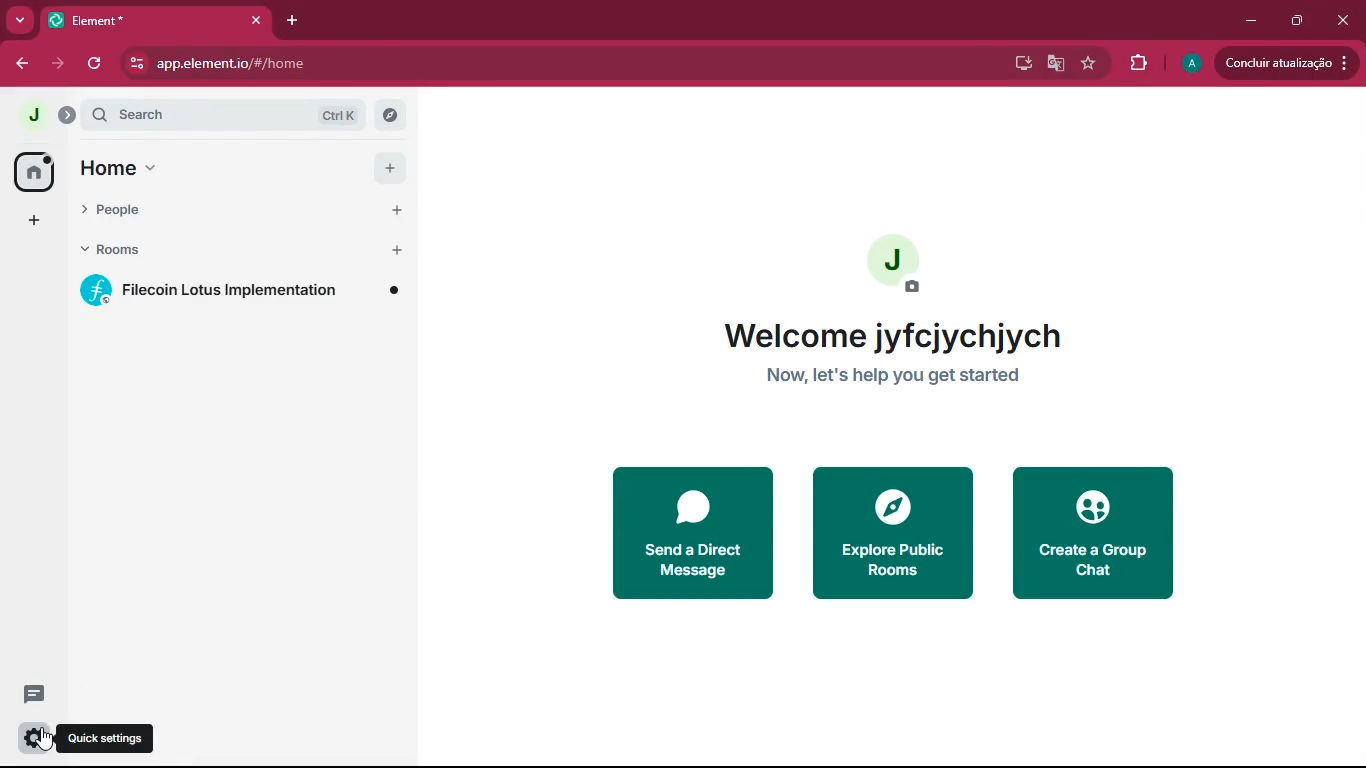  Describe the element at coordinates (1098, 536) in the screenshot. I see `create` at that location.